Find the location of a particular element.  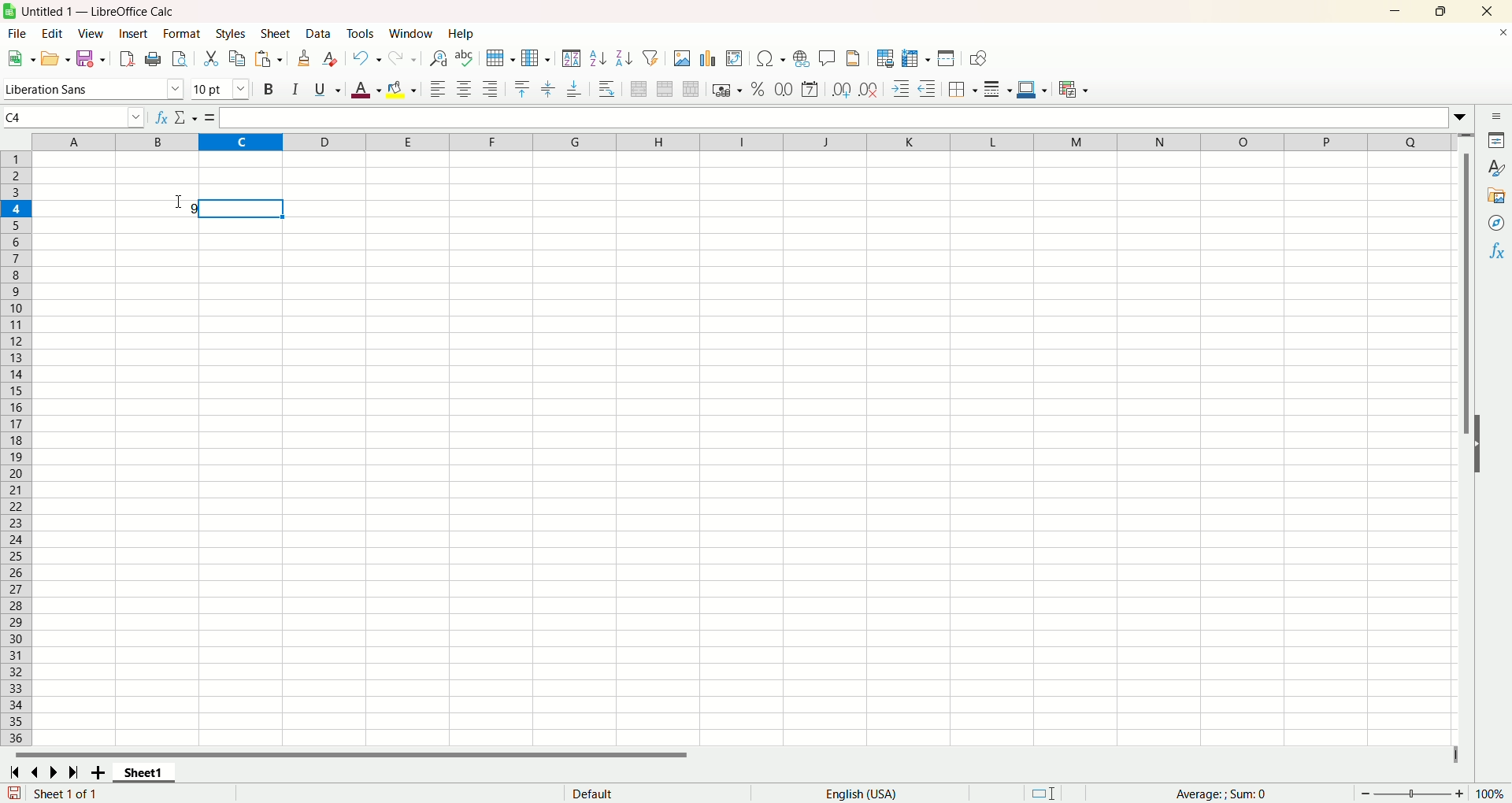

formula output is located at coordinates (157, 209).